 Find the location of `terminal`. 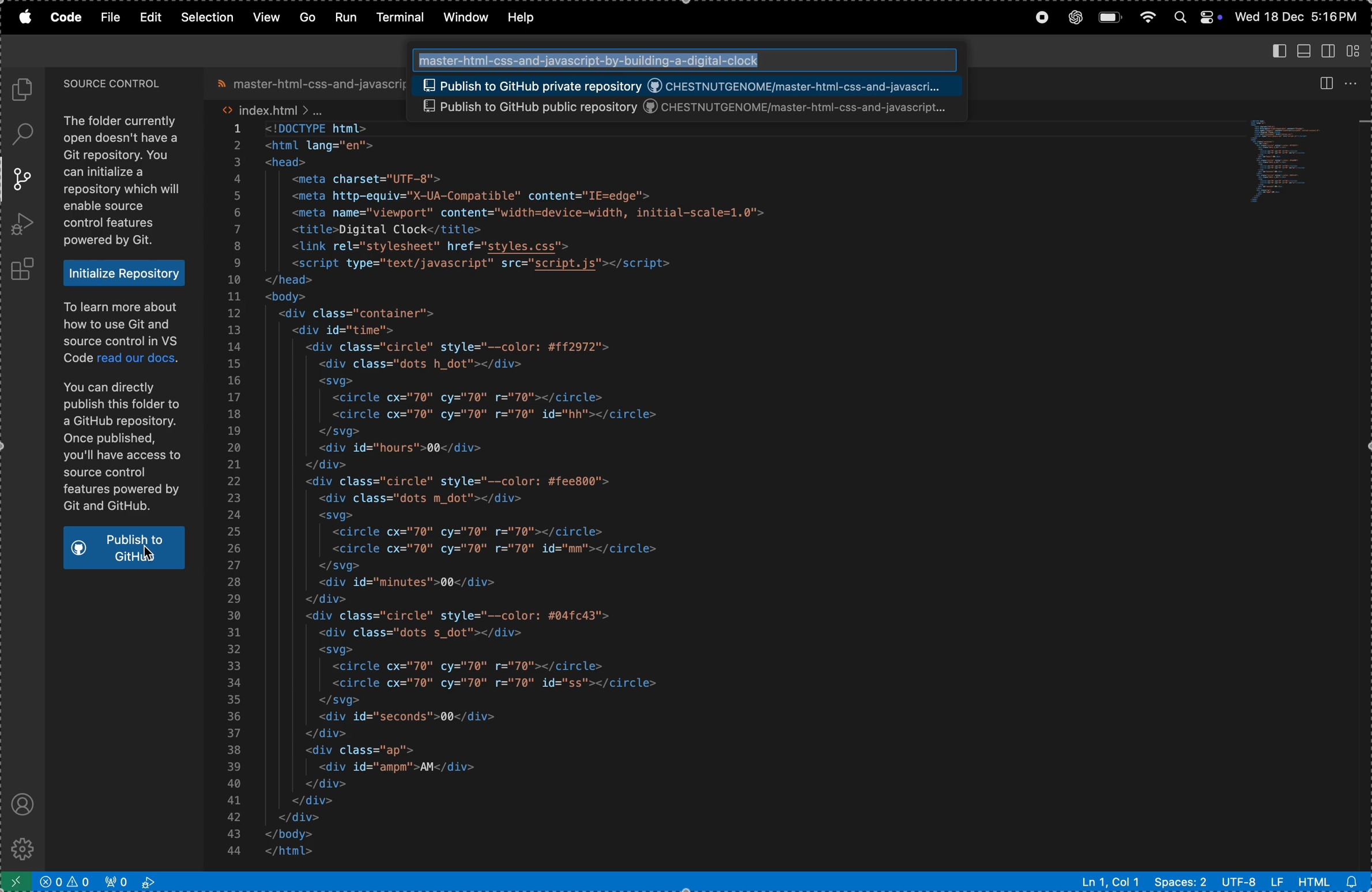

terminal is located at coordinates (395, 17).